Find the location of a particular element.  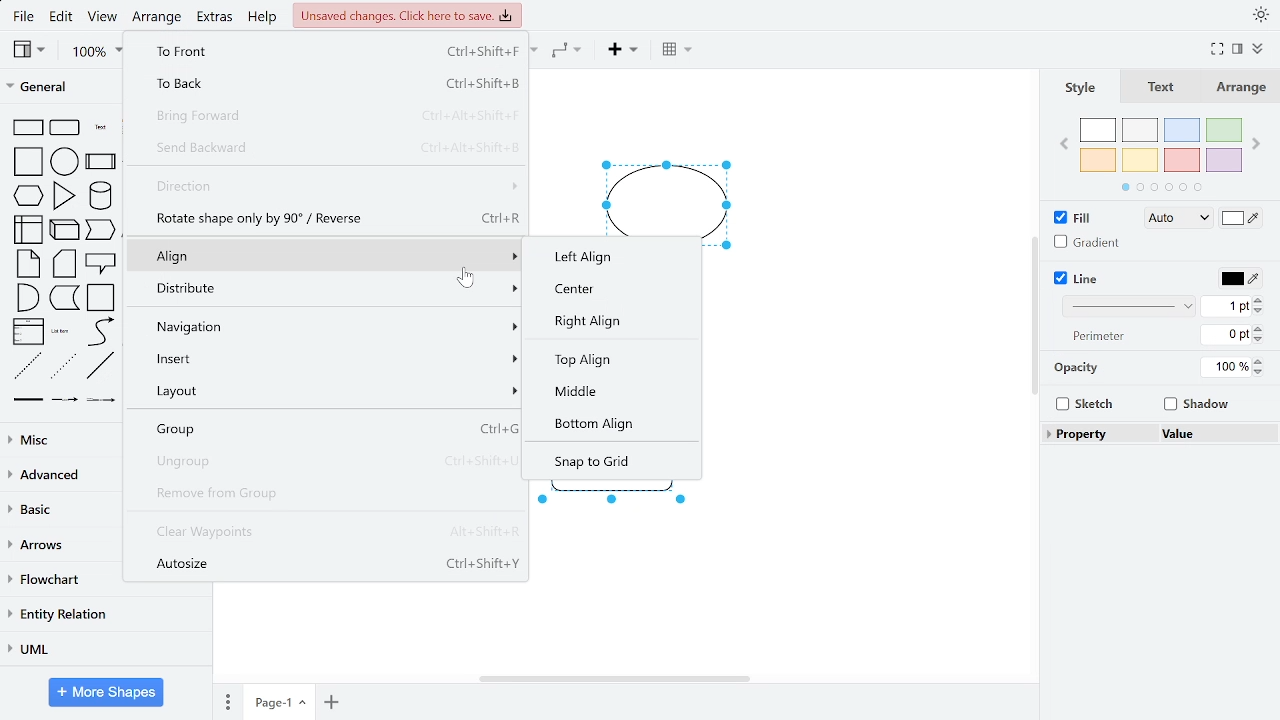

opacity is located at coordinates (1078, 368).